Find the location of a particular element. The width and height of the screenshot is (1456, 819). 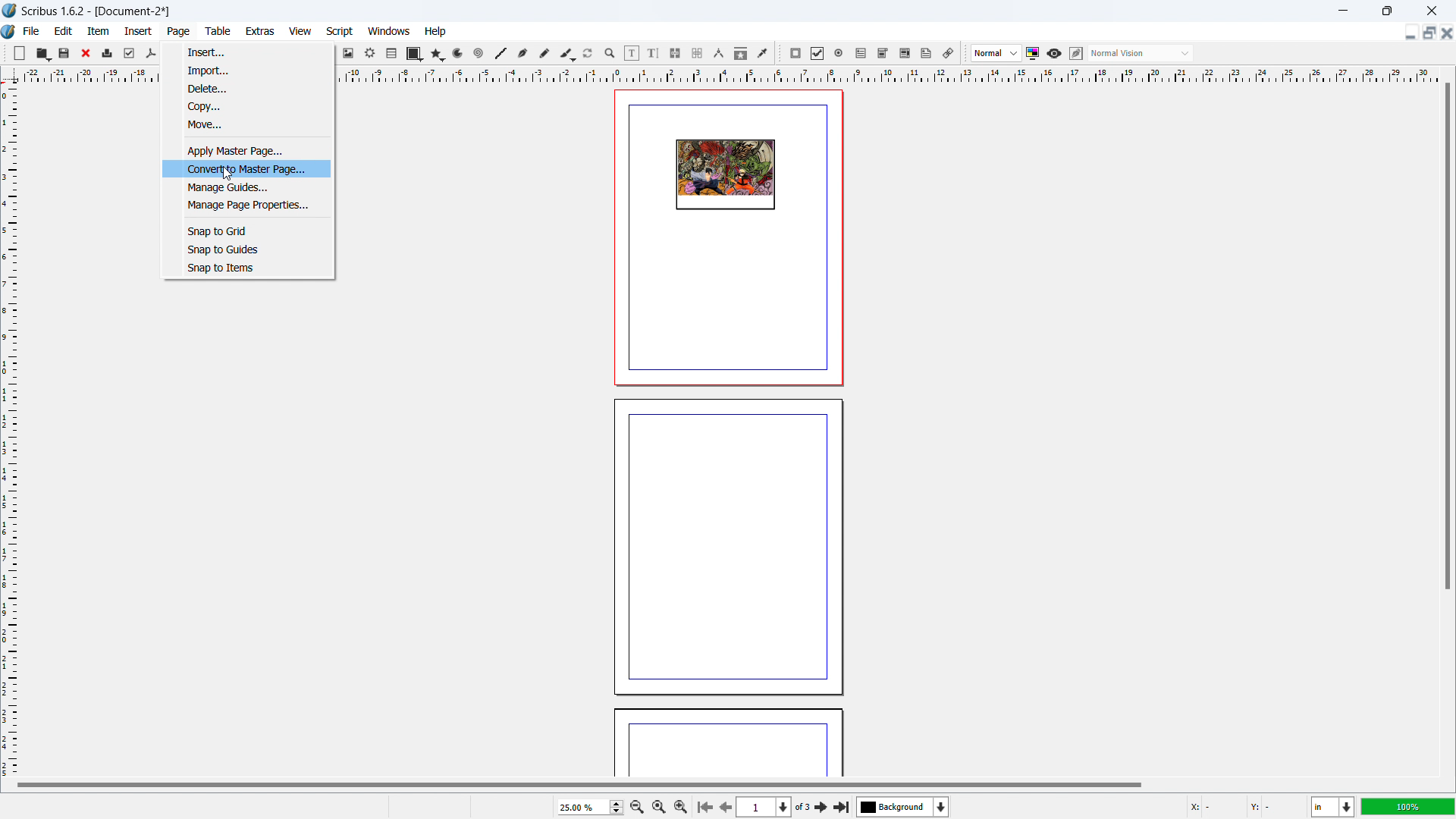

maximize document is located at coordinates (1427, 33).